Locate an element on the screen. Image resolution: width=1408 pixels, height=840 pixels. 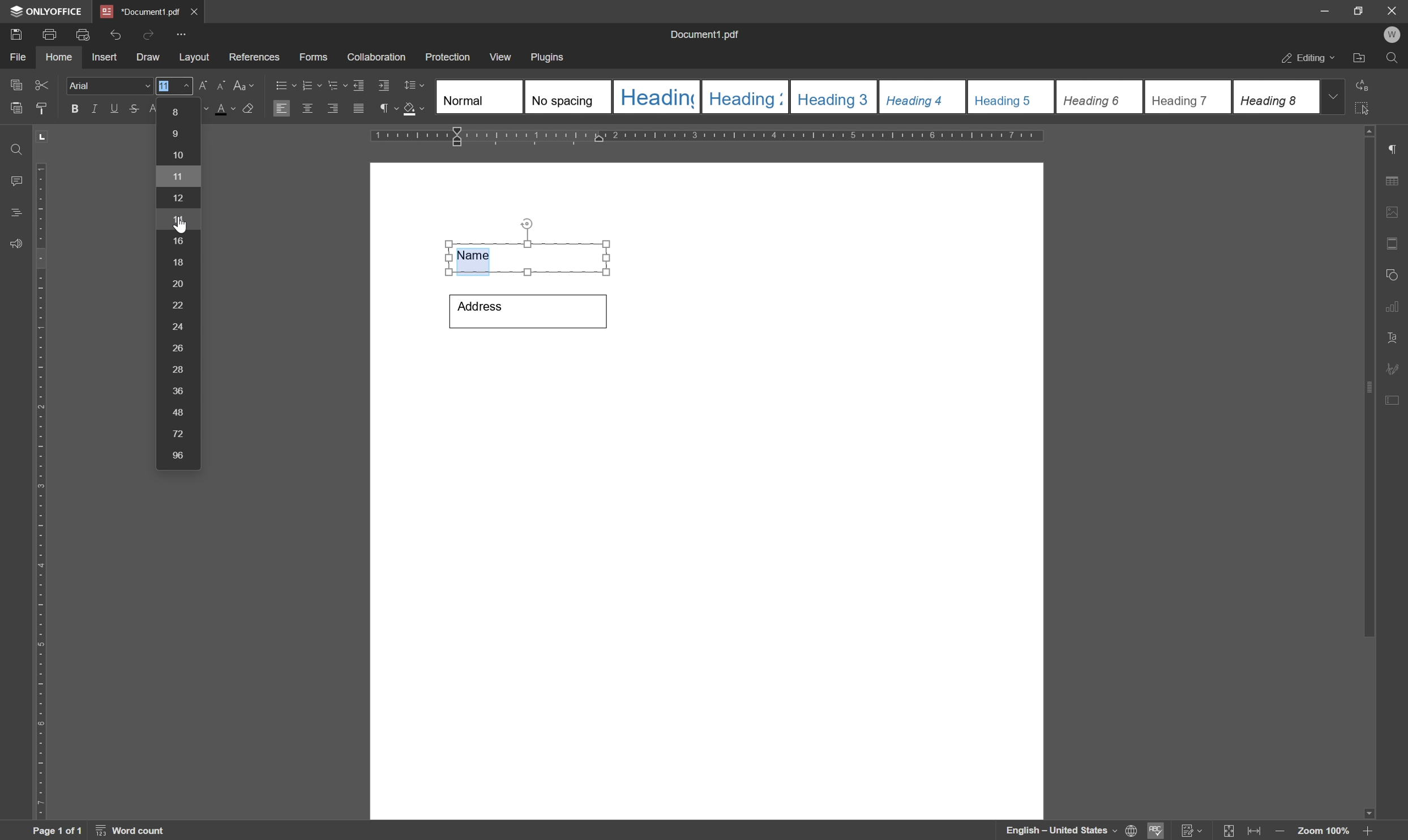
editing is located at coordinates (1307, 59).